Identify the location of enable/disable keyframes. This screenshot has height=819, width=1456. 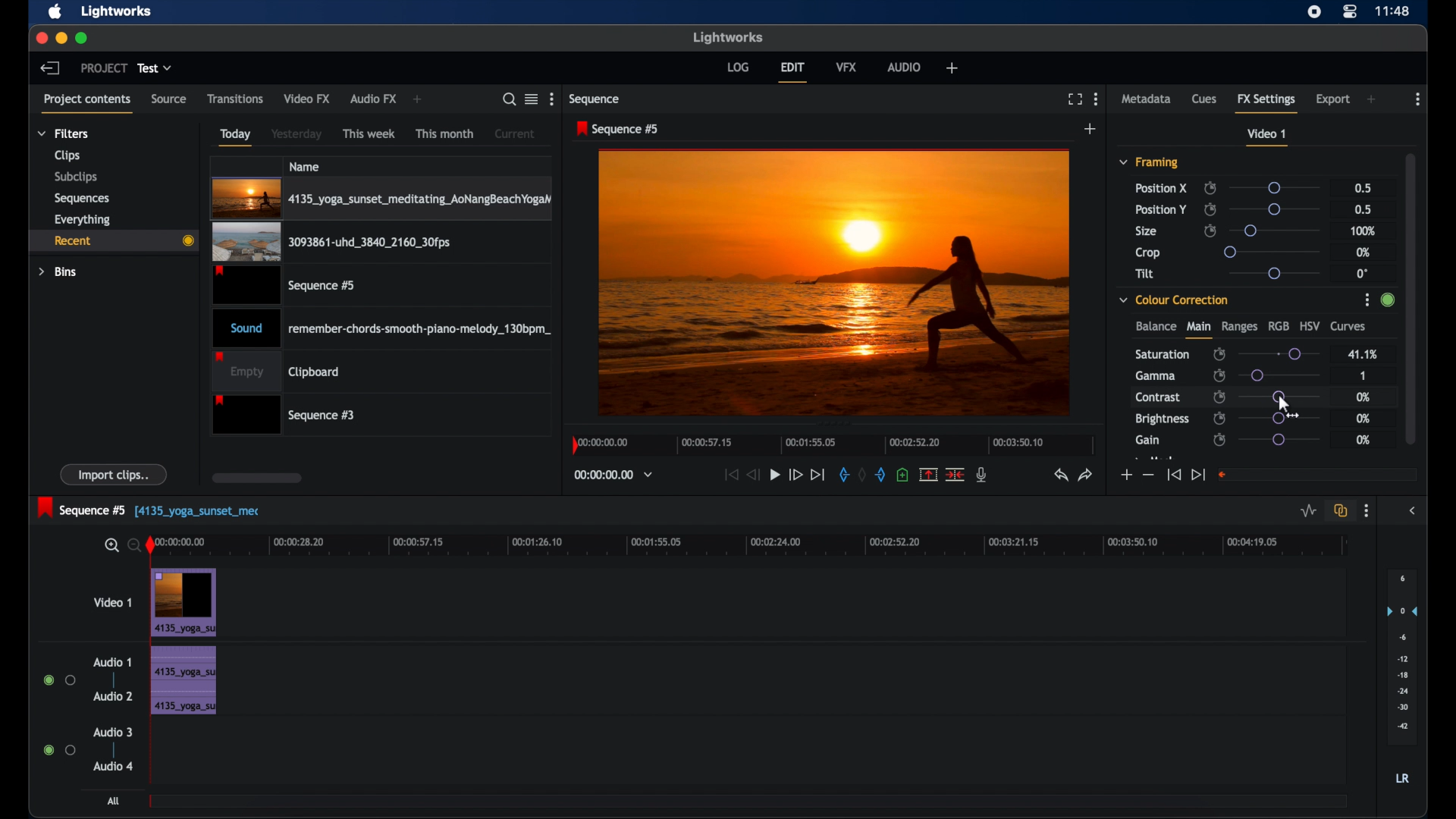
(1210, 231).